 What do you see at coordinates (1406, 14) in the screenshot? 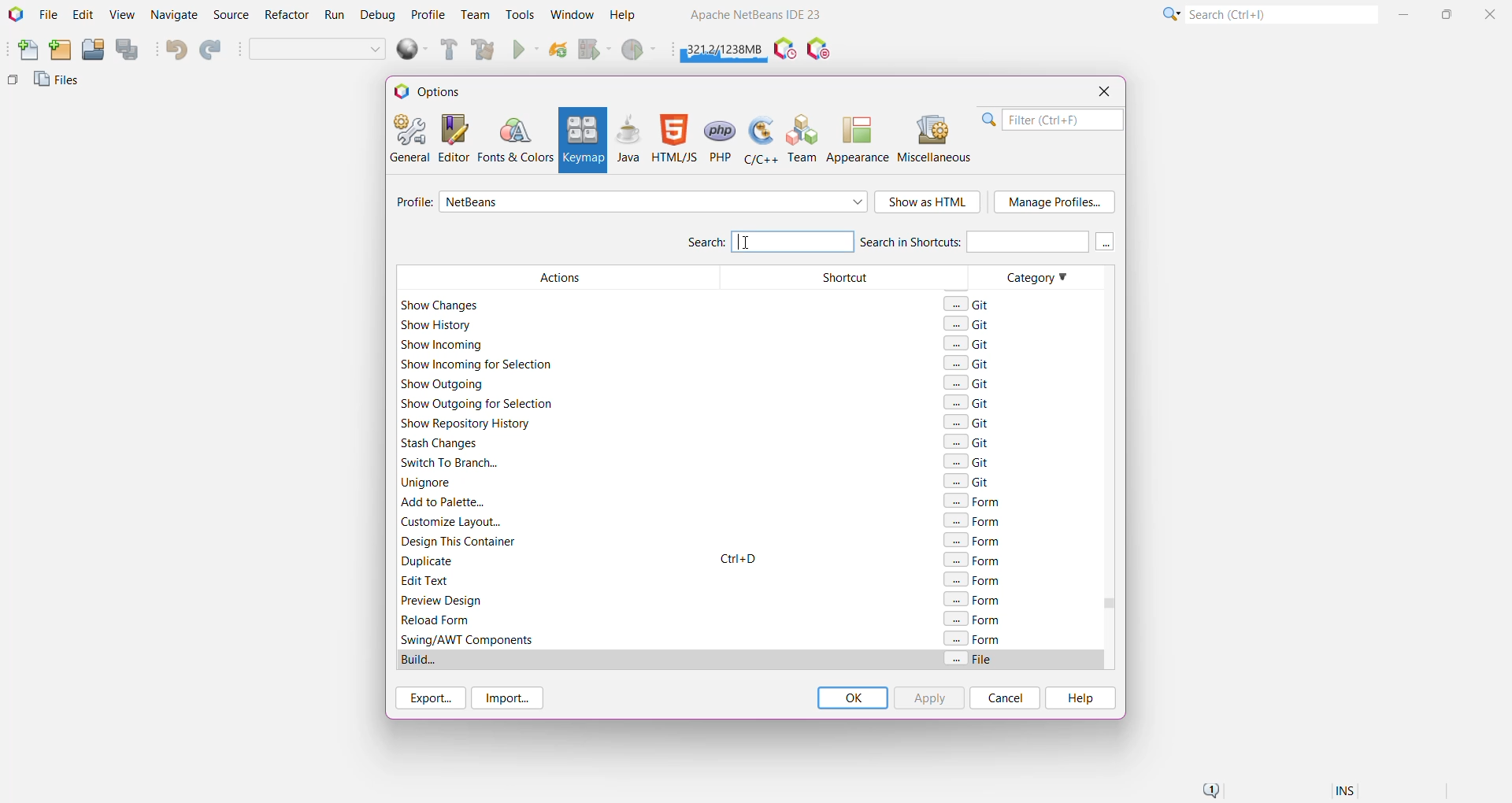
I see `Minimize` at bounding box center [1406, 14].